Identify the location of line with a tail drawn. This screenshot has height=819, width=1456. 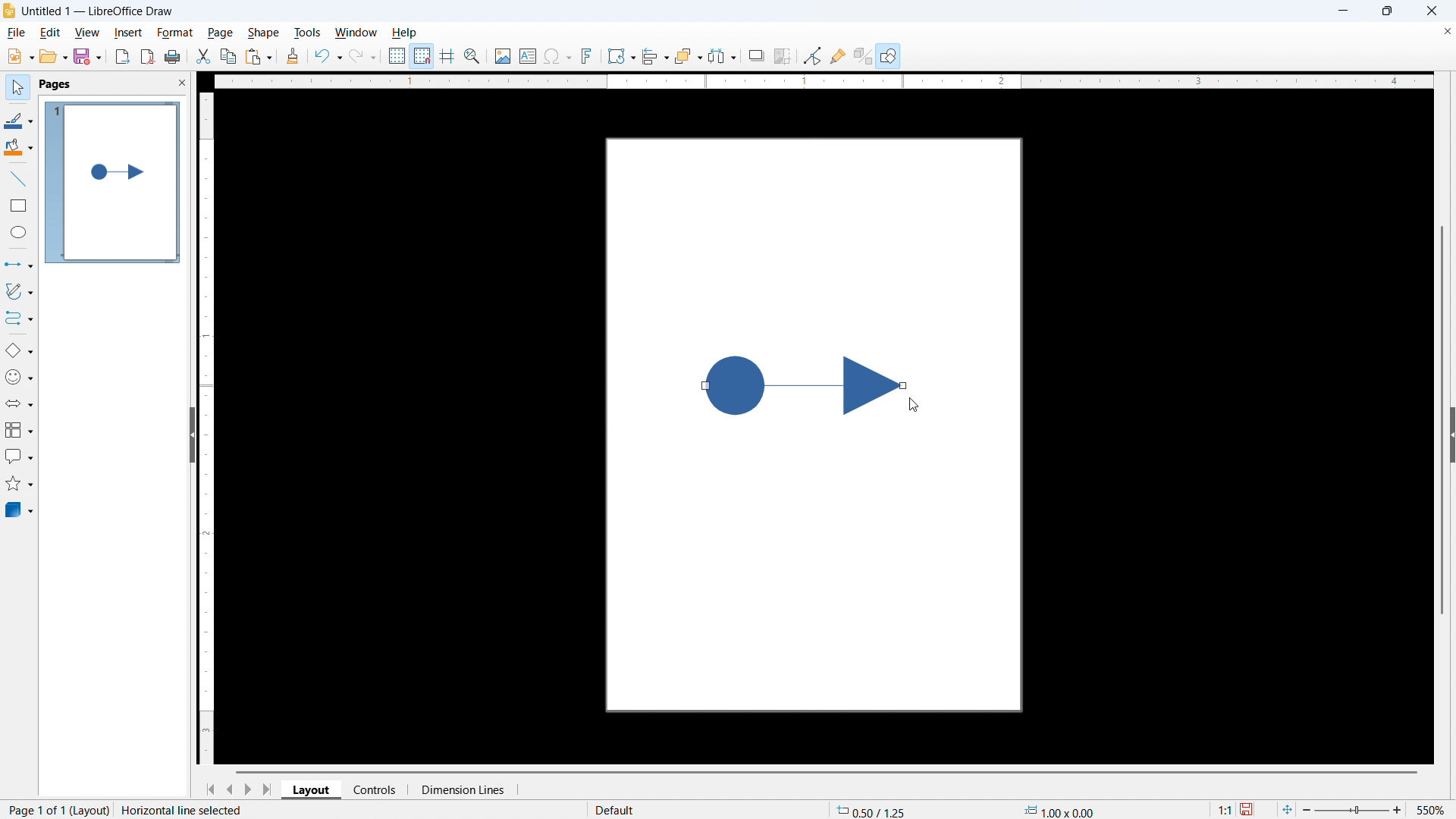
(802, 384).